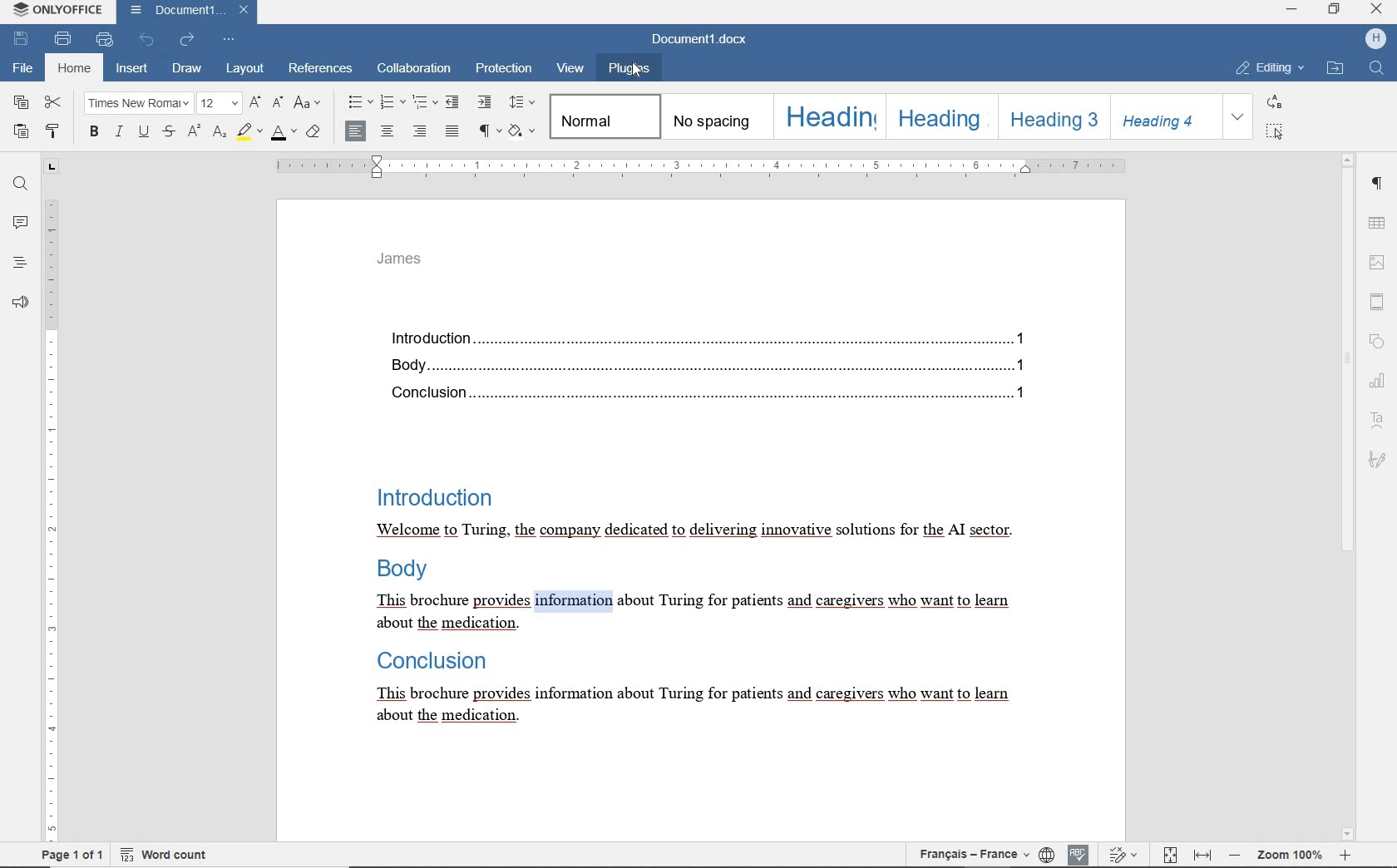 The image size is (1397, 868). I want to click on LAYOUT, so click(243, 70).